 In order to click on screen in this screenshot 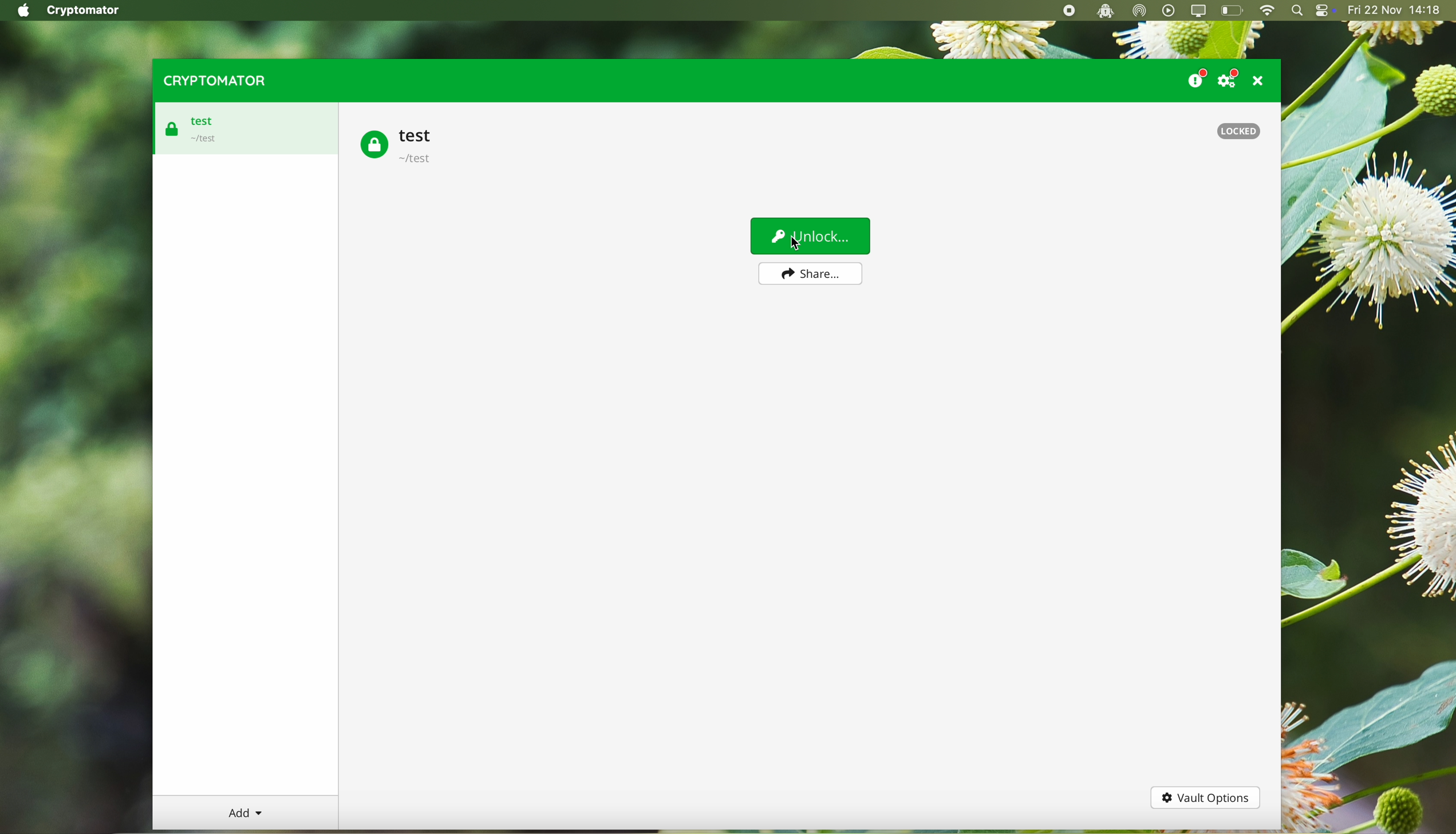, I will do `click(1200, 11)`.